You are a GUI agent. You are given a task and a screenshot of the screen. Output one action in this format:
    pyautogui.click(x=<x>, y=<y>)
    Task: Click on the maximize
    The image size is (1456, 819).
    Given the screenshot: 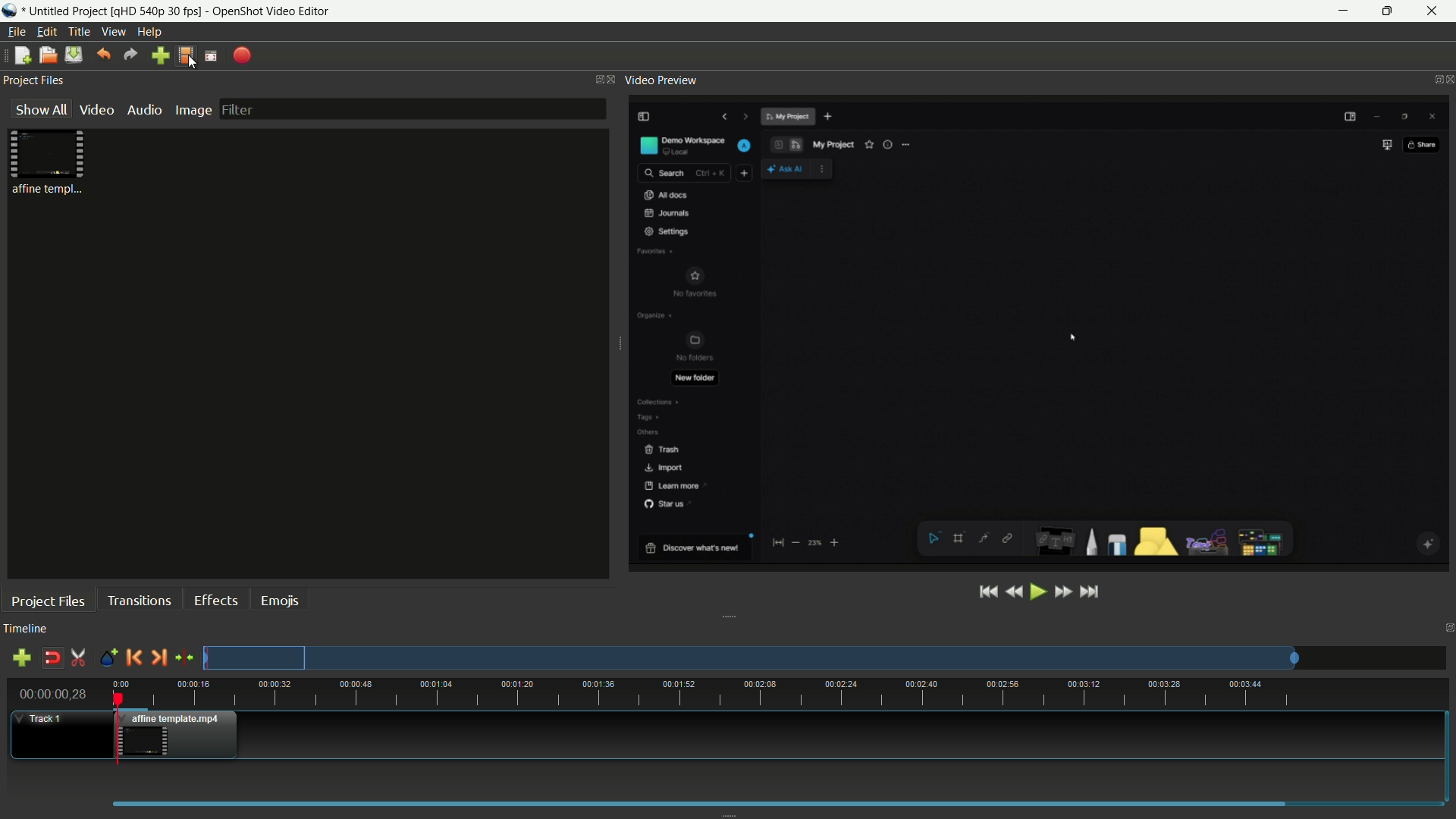 What is the action you would take?
    pyautogui.click(x=1391, y=11)
    